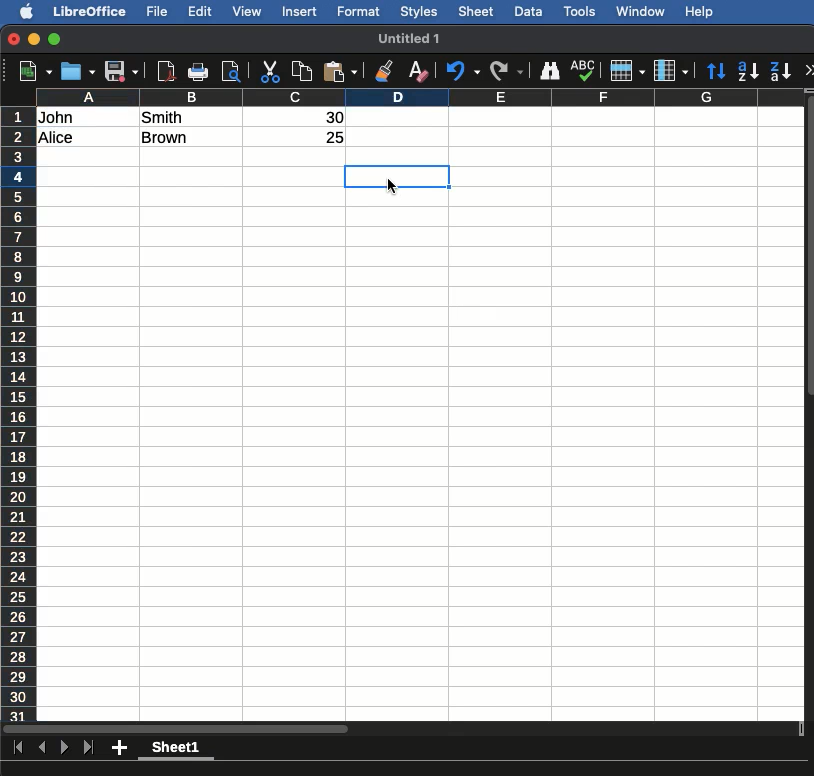  Describe the element at coordinates (34, 38) in the screenshot. I see `Minimize` at that location.